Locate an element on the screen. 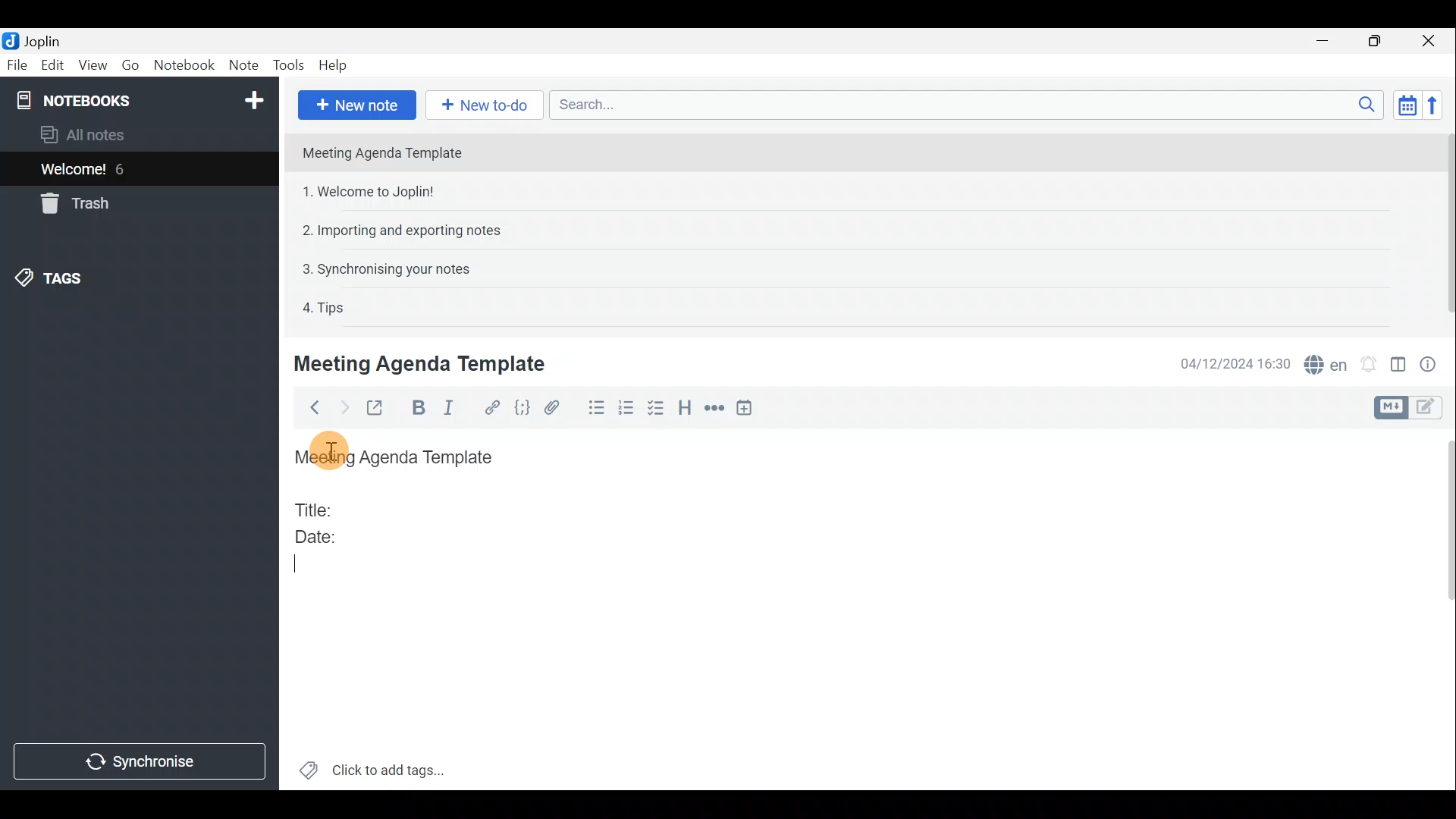  View is located at coordinates (90, 67).